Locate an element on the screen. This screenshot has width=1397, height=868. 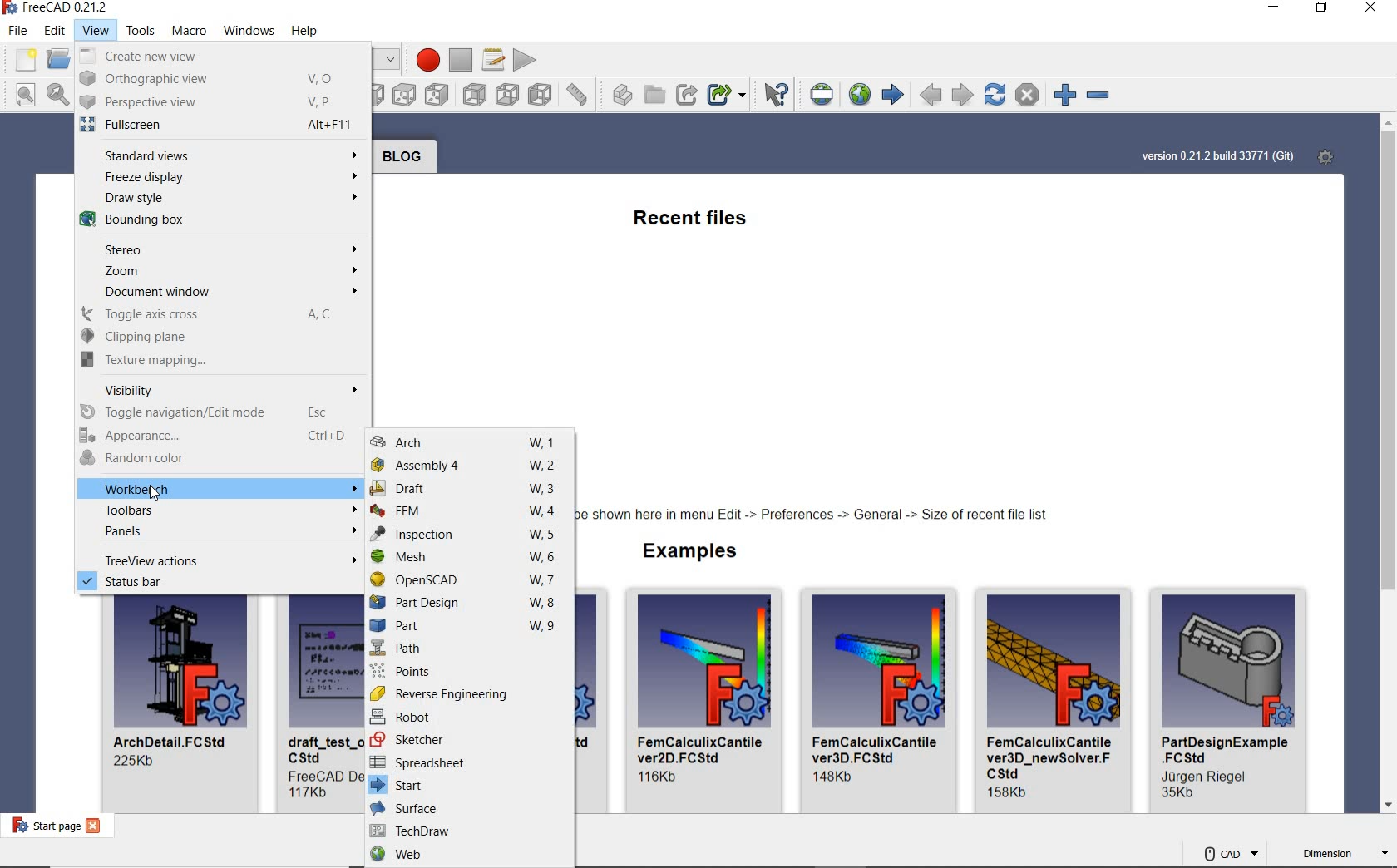
TechDraw is located at coordinates (468, 831).